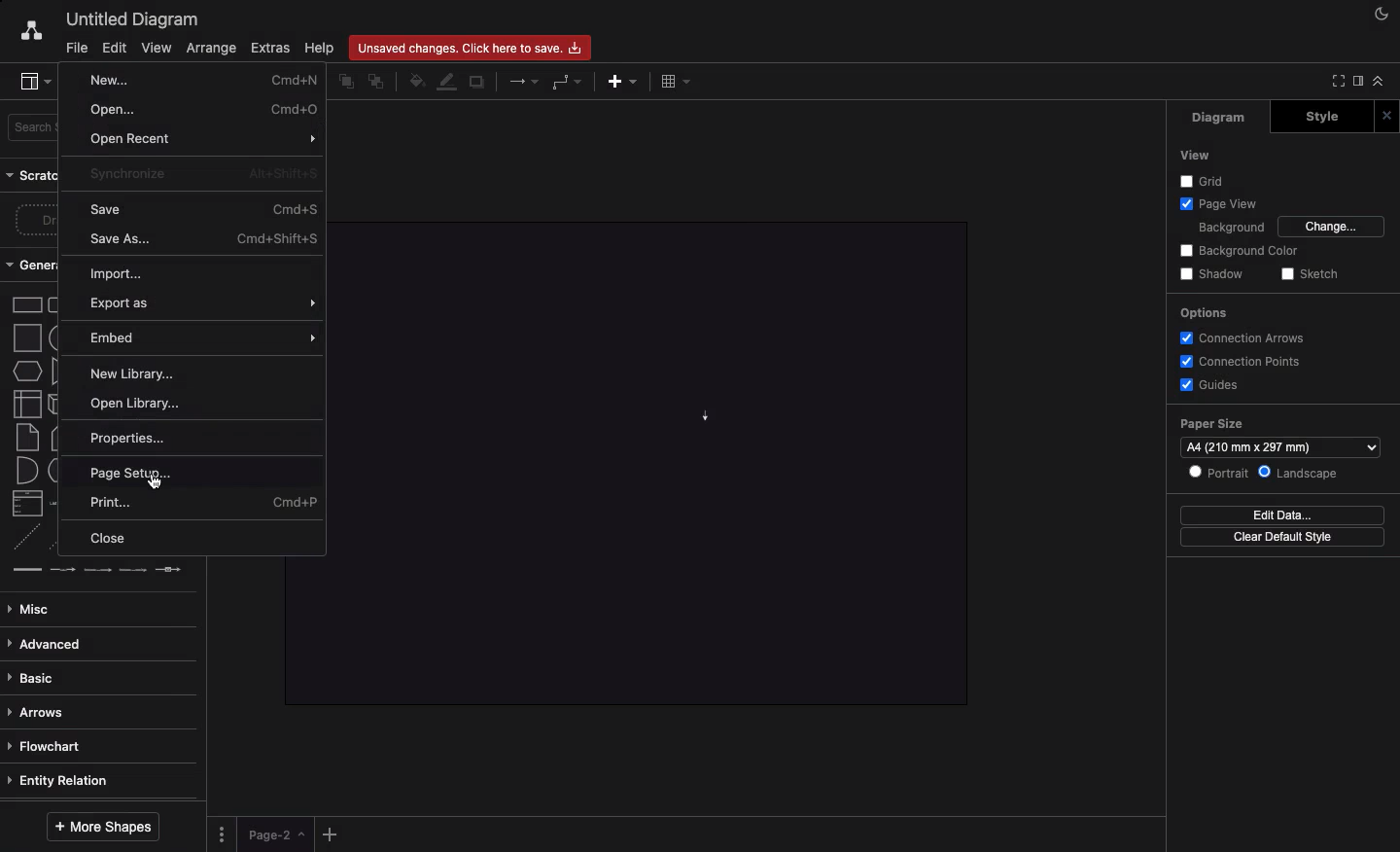 The width and height of the screenshot is (1400, 852). I want to click on Edit, so click(115, 47).